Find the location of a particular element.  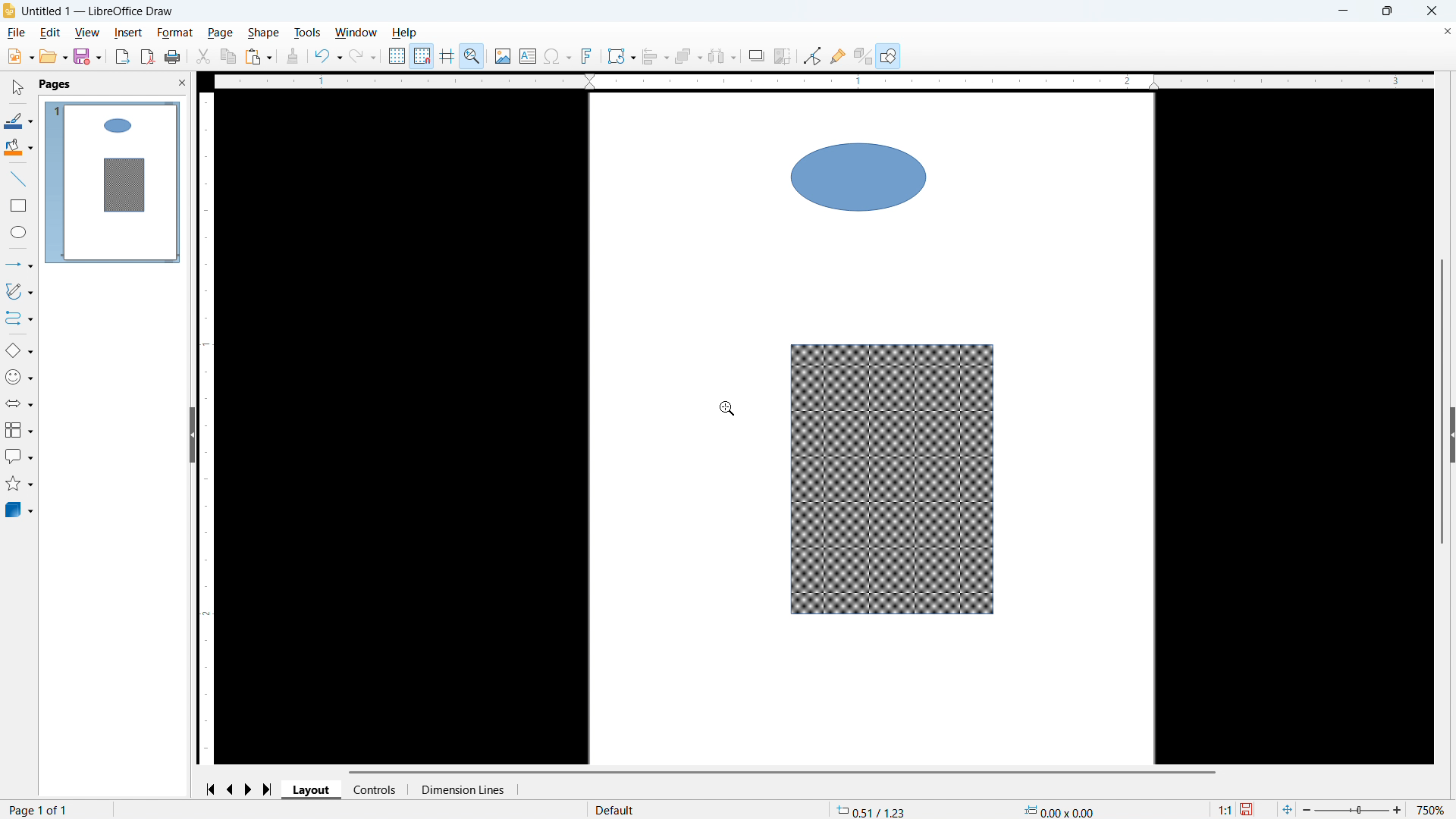

Rectangle  is located at coordinates (19, 206).